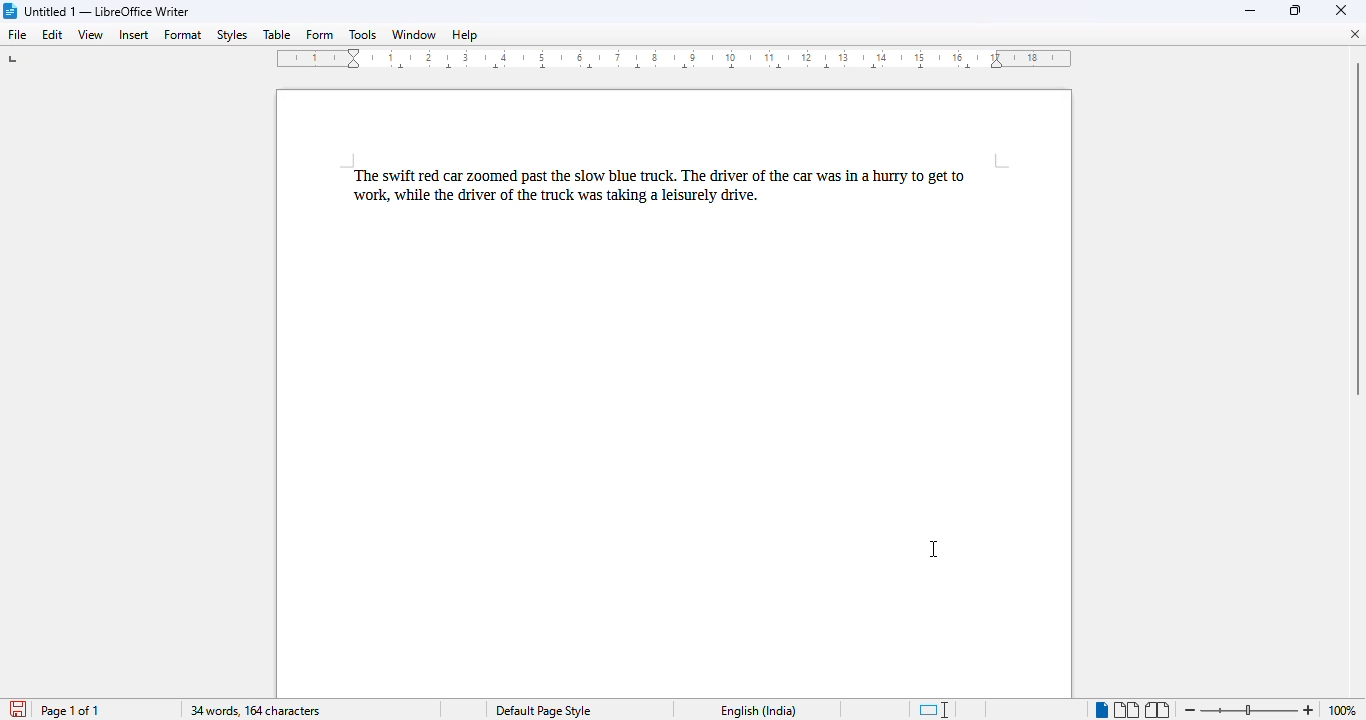  Describe the element at coordinates (1127, 710) in the screenshot. I see `multi-page view` at that location.